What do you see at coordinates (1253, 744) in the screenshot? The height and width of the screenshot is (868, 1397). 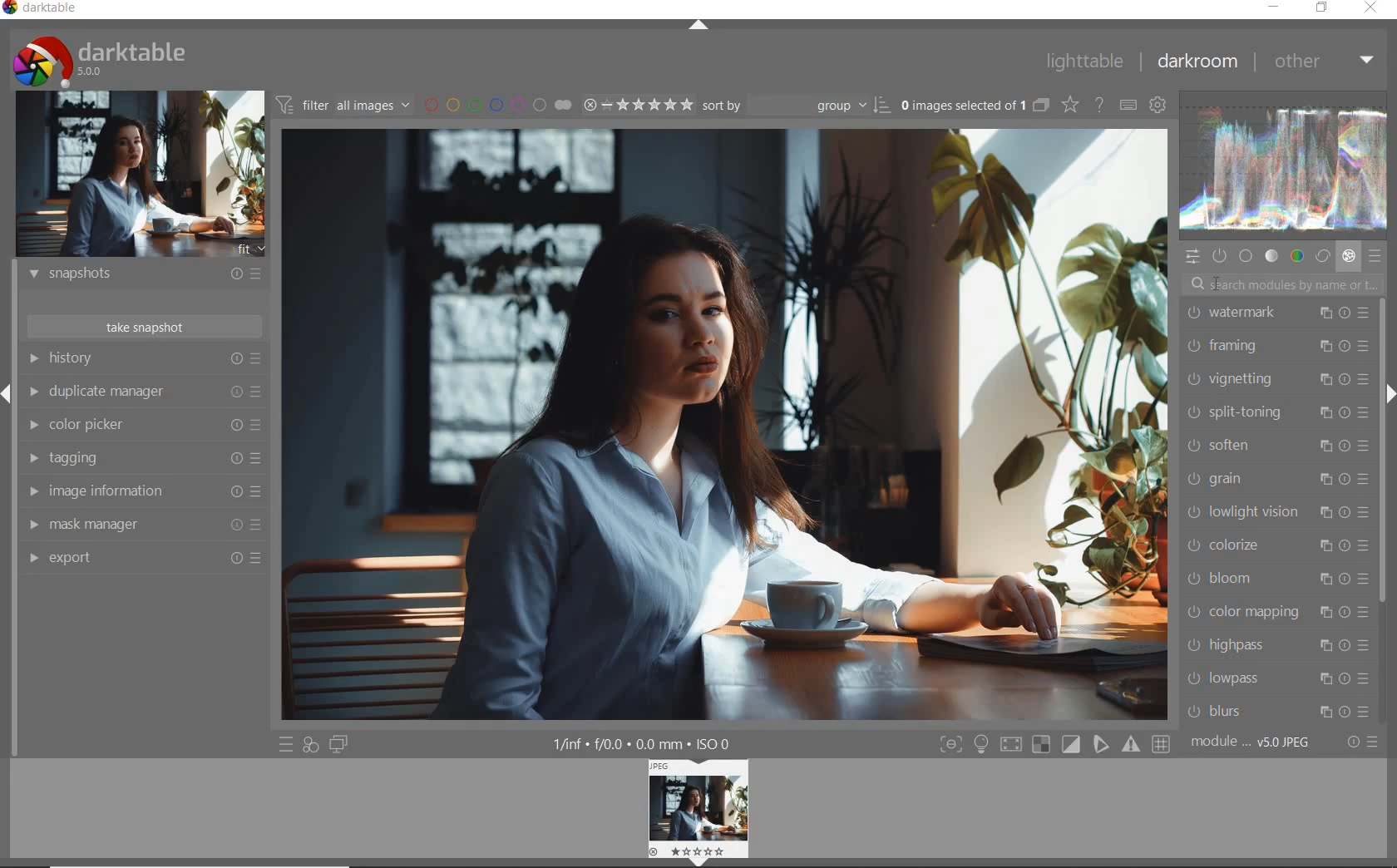 I see `module` at bounding box center [1253, 744].